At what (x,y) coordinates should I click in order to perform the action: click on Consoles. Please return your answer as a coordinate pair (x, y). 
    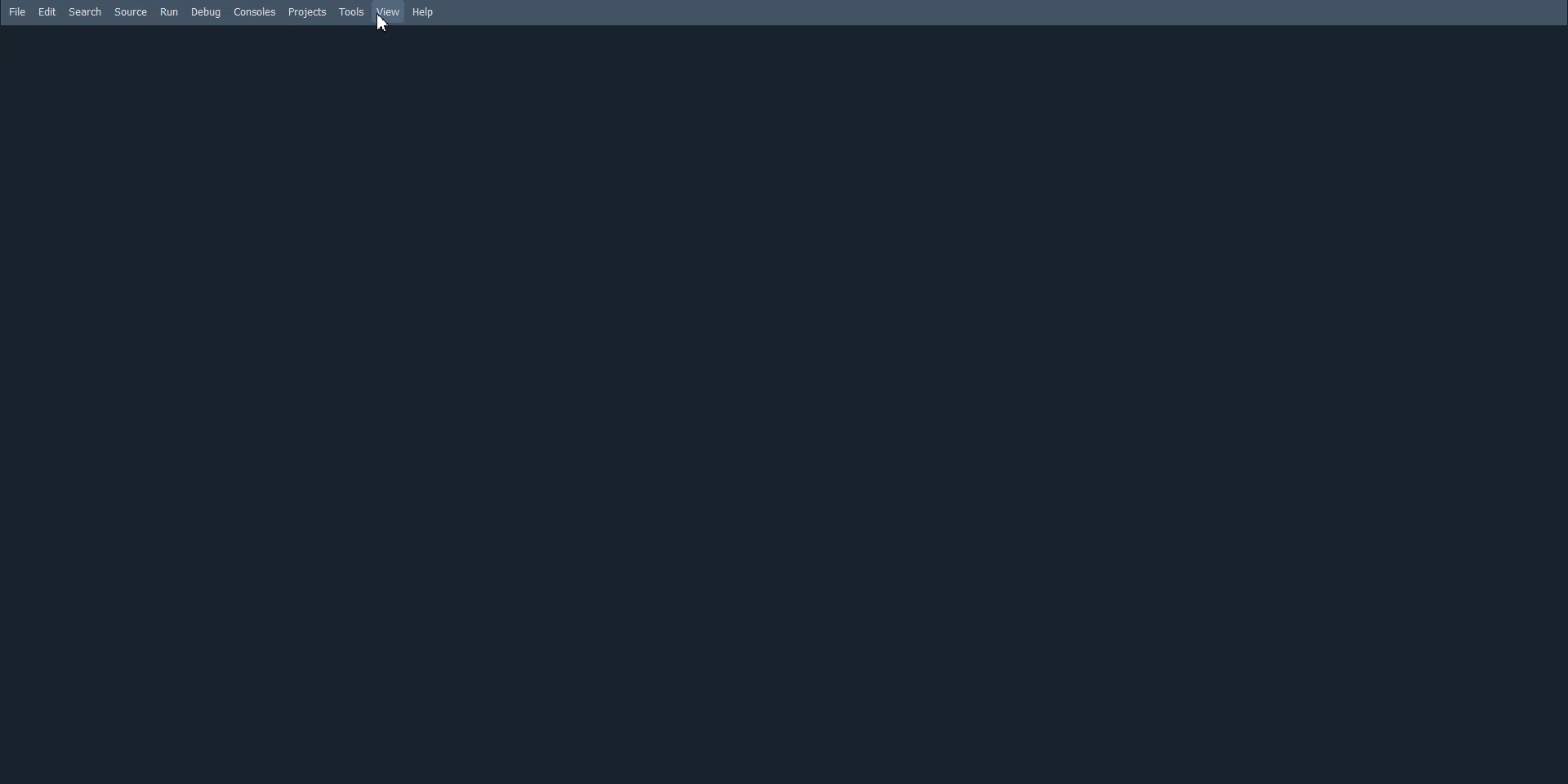
    Looking at the image, I should click on (255, 11).